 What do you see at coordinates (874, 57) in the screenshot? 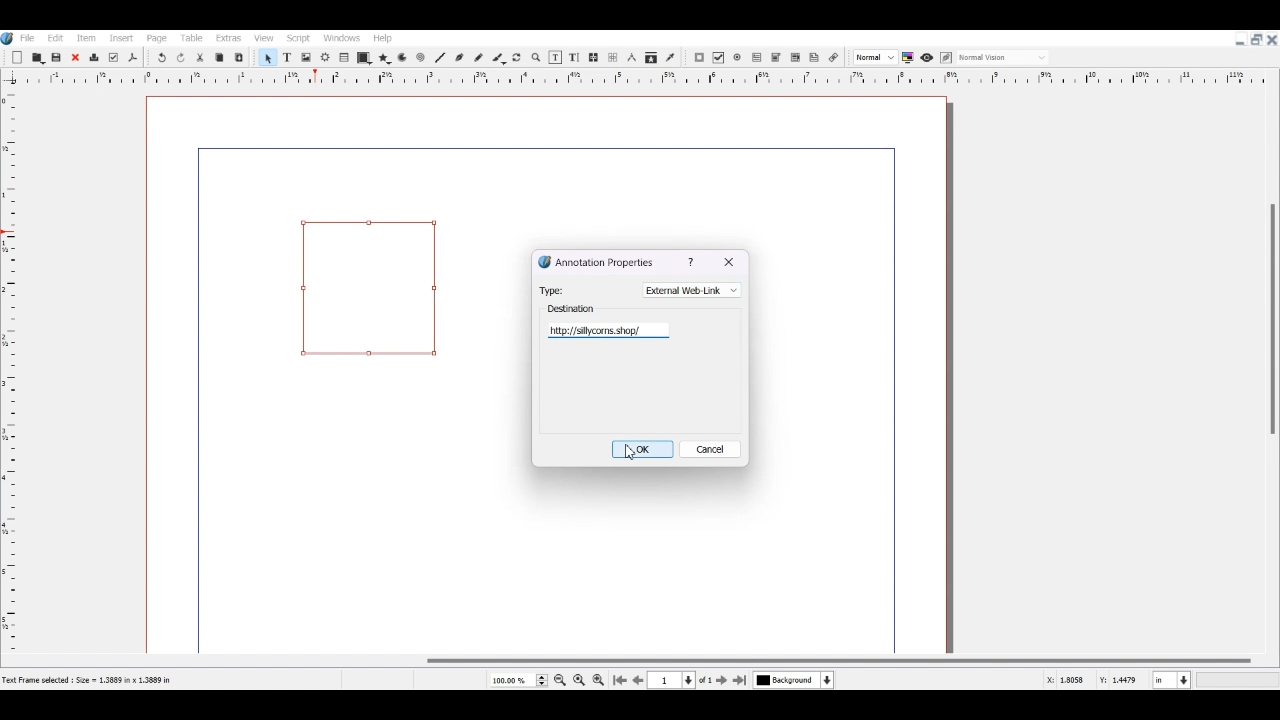
I see `Select the image preview quality` at bounding box center [874, 57].